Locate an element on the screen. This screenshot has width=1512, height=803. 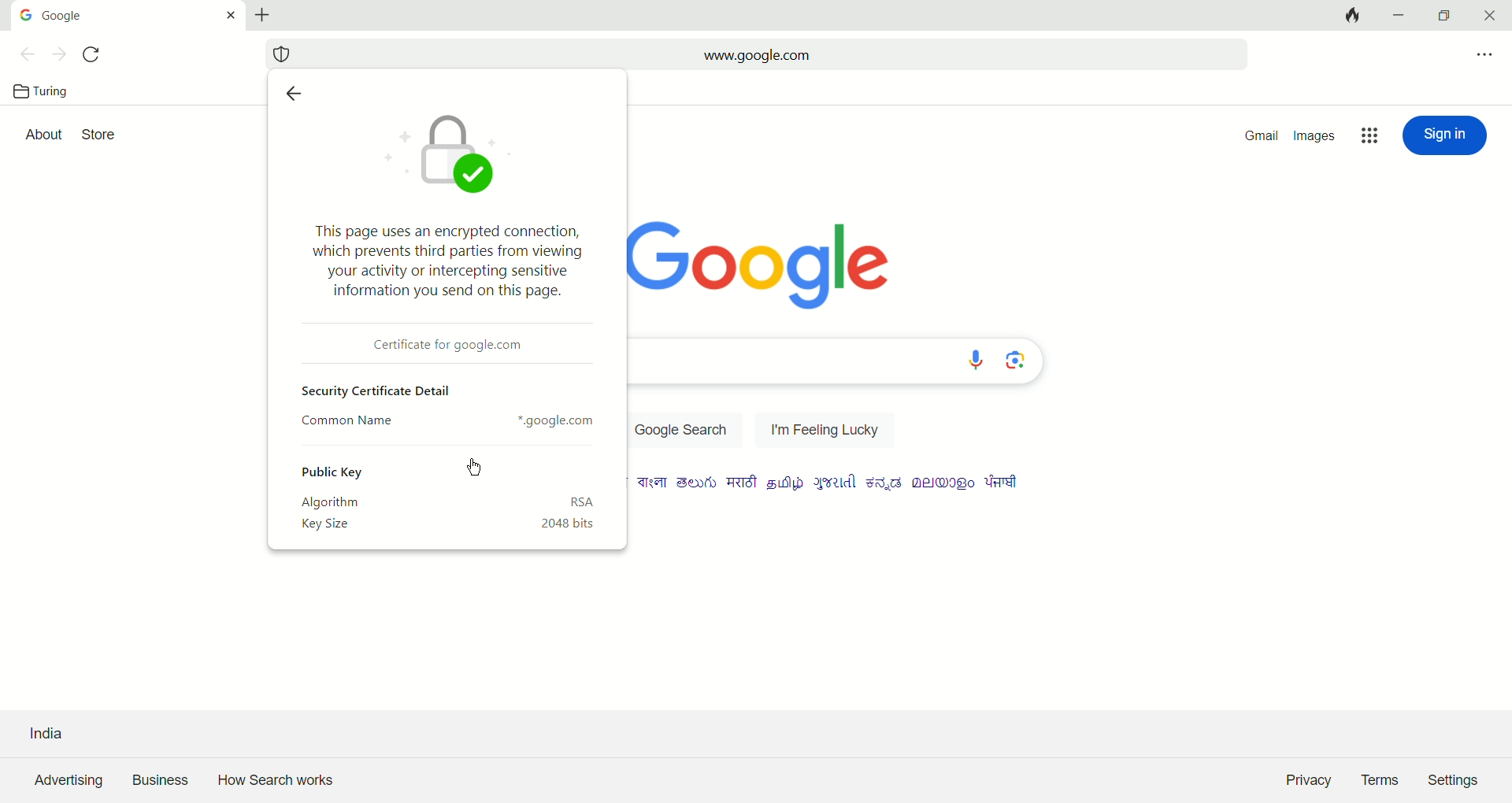
public key is located at coordinates (339, 474).